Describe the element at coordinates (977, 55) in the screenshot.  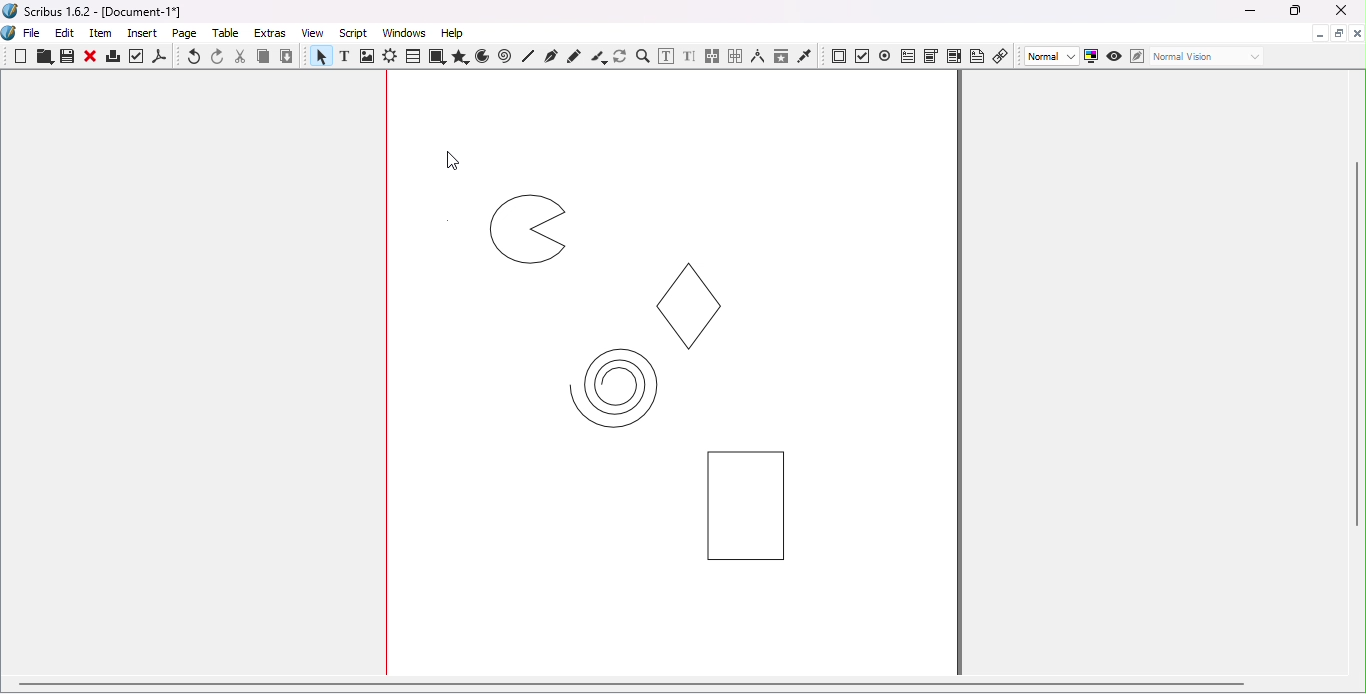
I see `Text annotation` at that location.